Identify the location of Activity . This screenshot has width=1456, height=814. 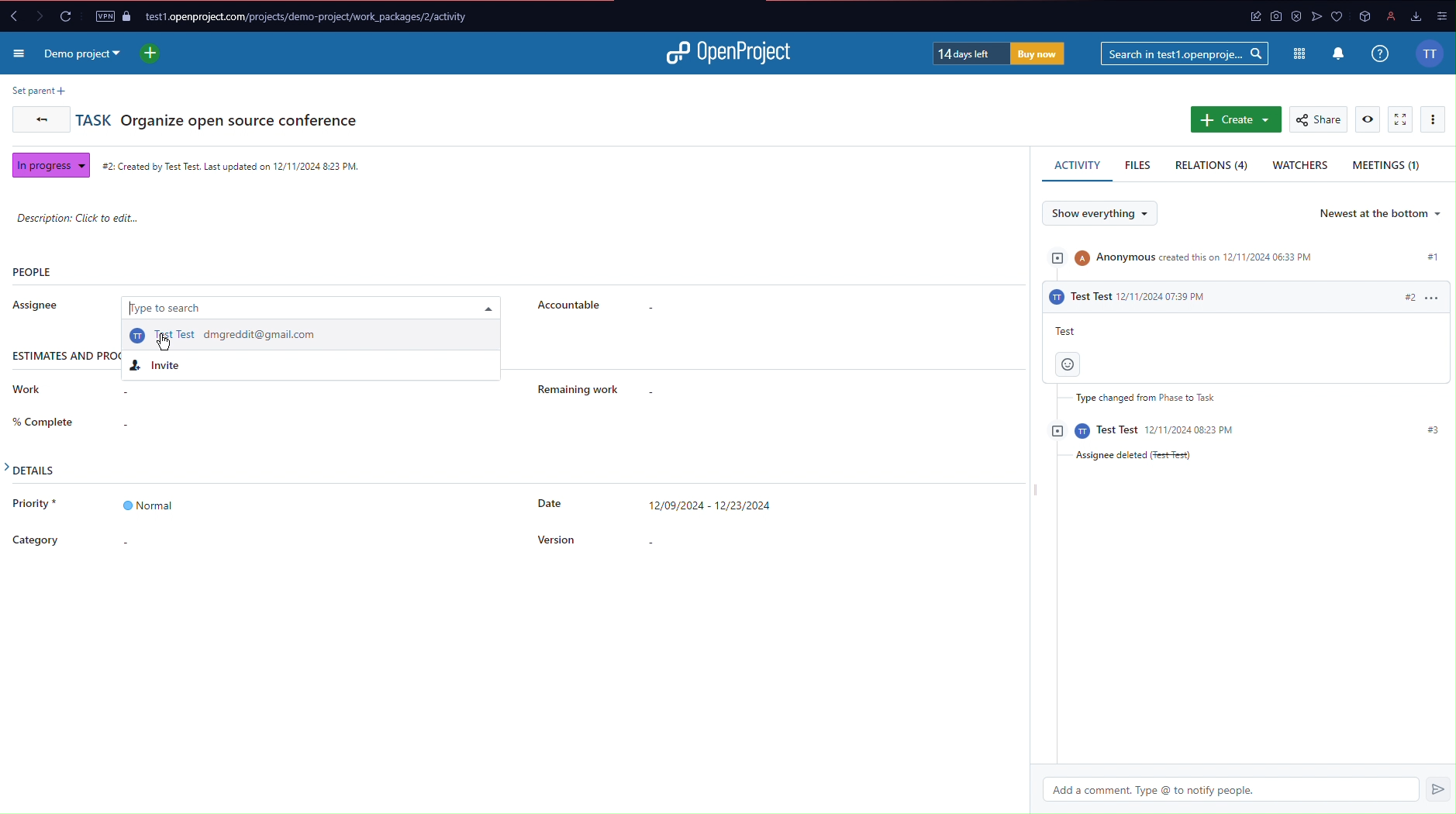
(1074, 165).